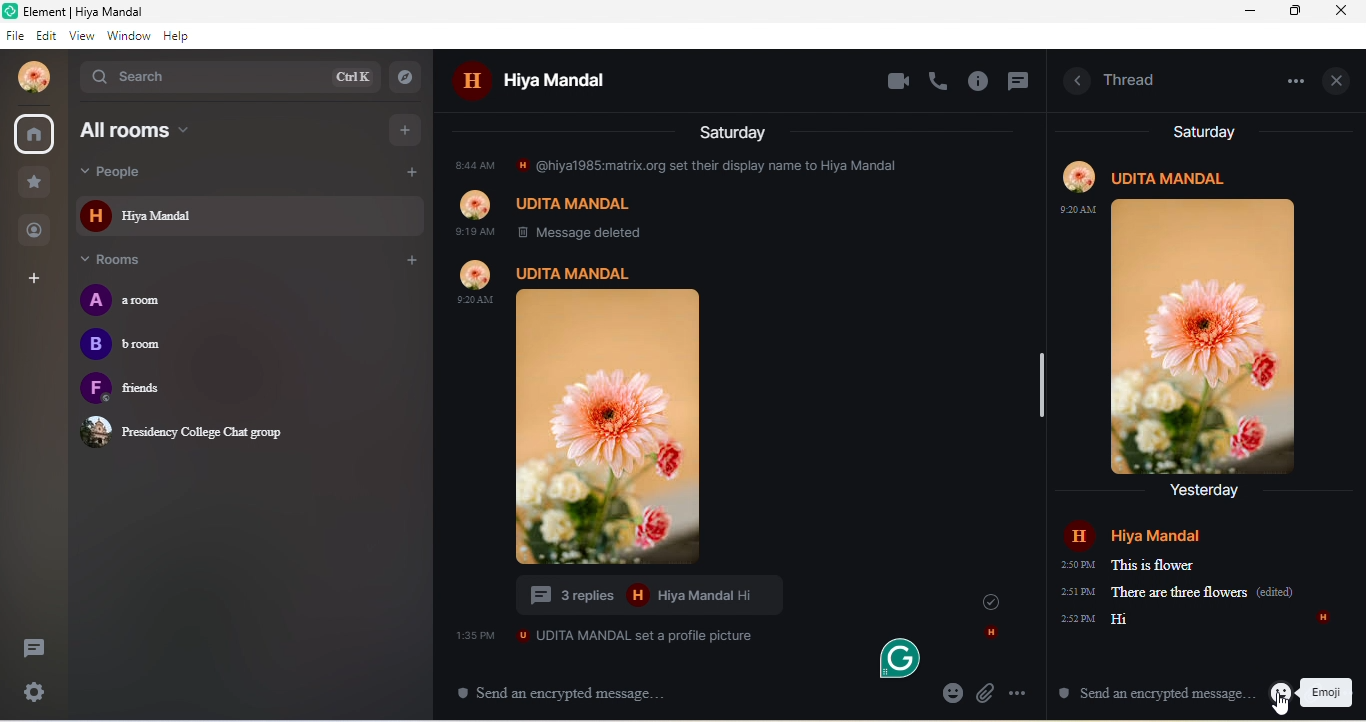  Describe the element at coordinates (650, 594) in the screenshot. I see `3 replies` at that location.